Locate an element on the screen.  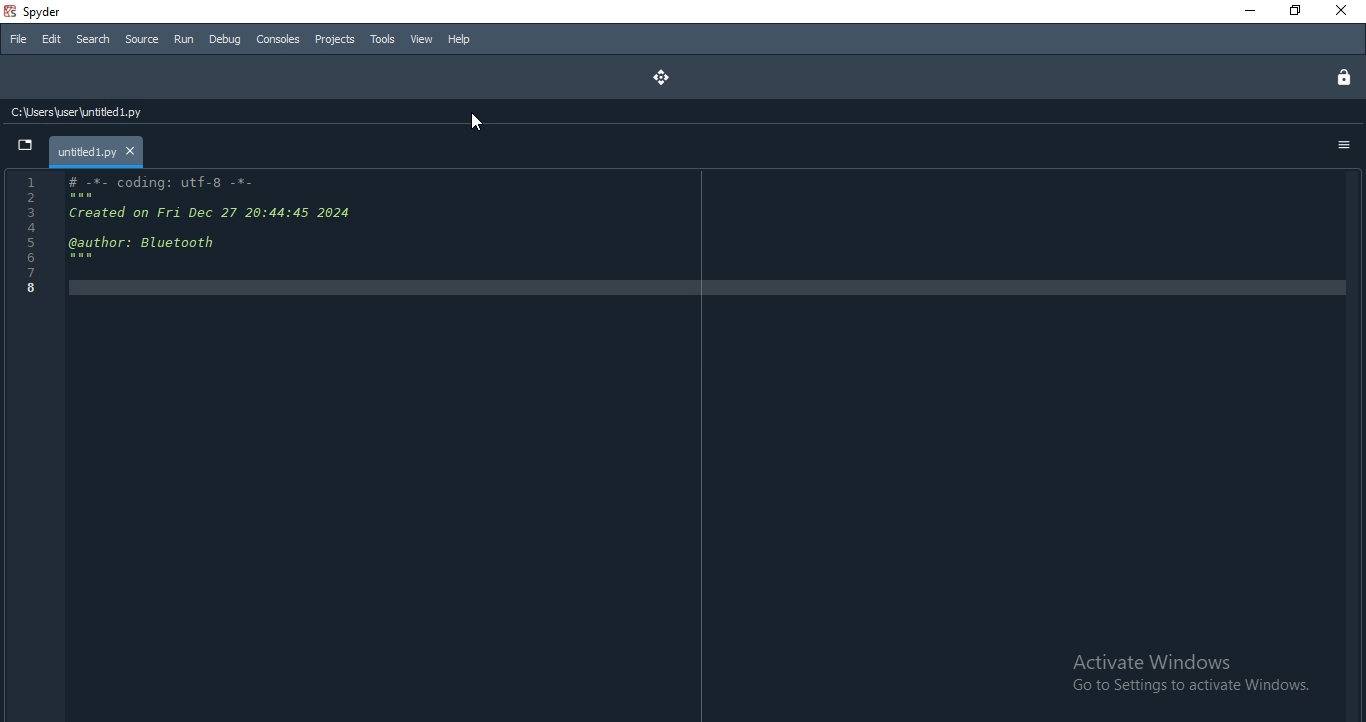
Source is located at coordinates (143, 39).